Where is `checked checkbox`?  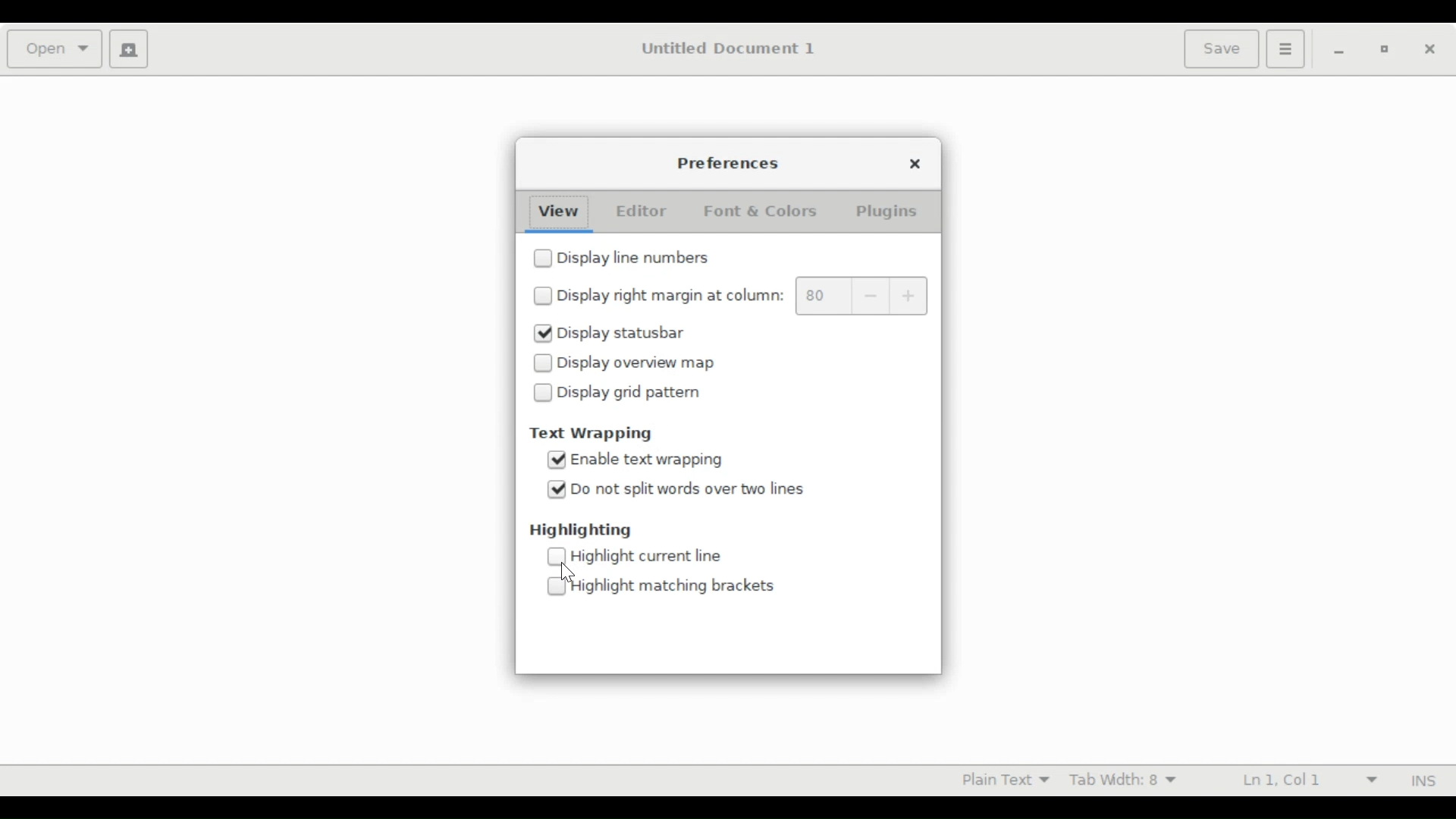 checked checkbox is located at coordinates (555, 460).